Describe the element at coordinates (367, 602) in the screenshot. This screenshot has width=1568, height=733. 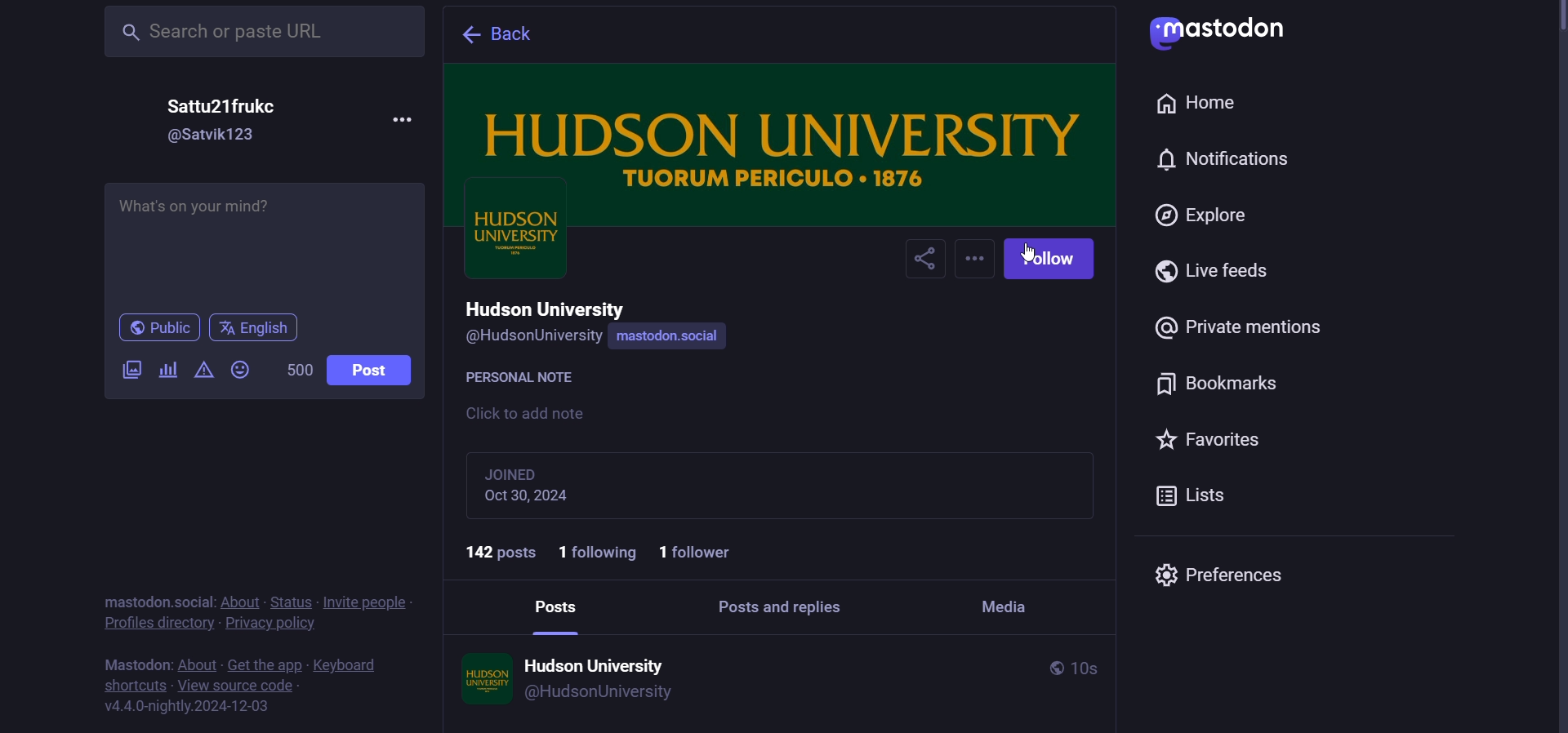
I see `invite people` at that location.